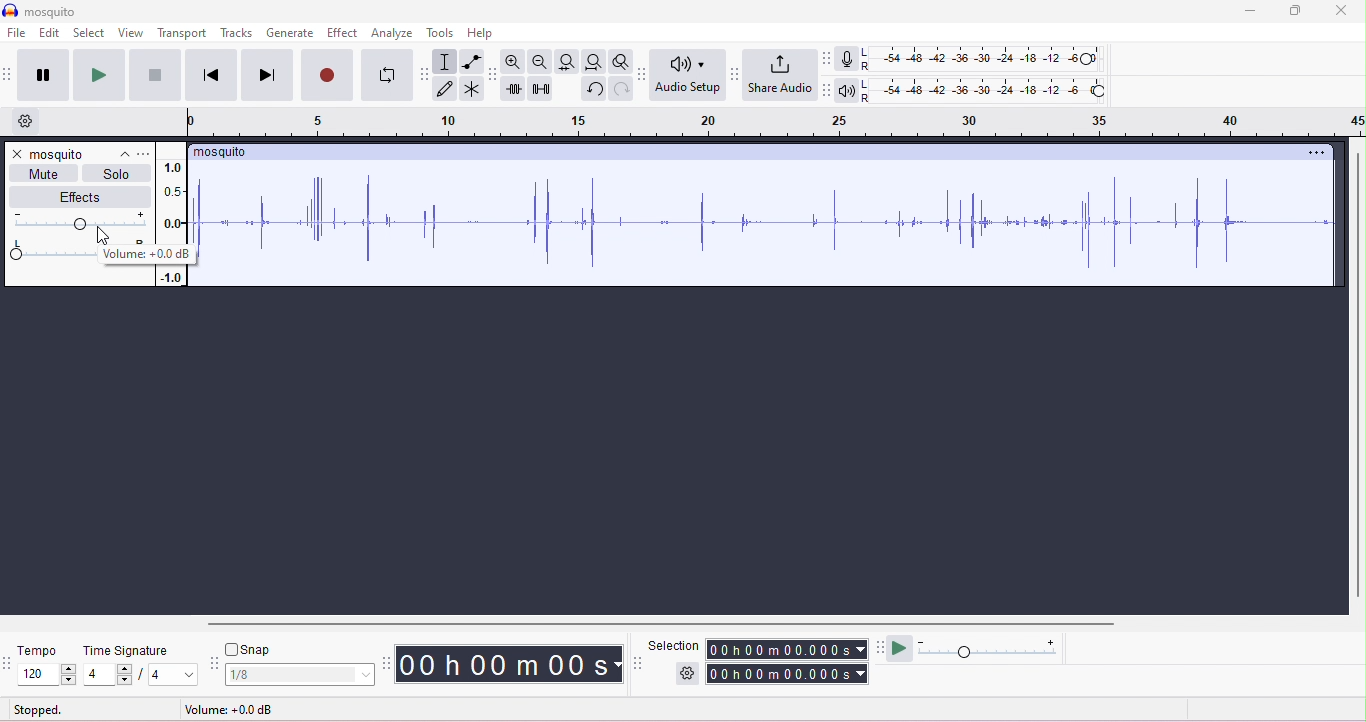  I want to click on playback spedd, so click(991, 650).